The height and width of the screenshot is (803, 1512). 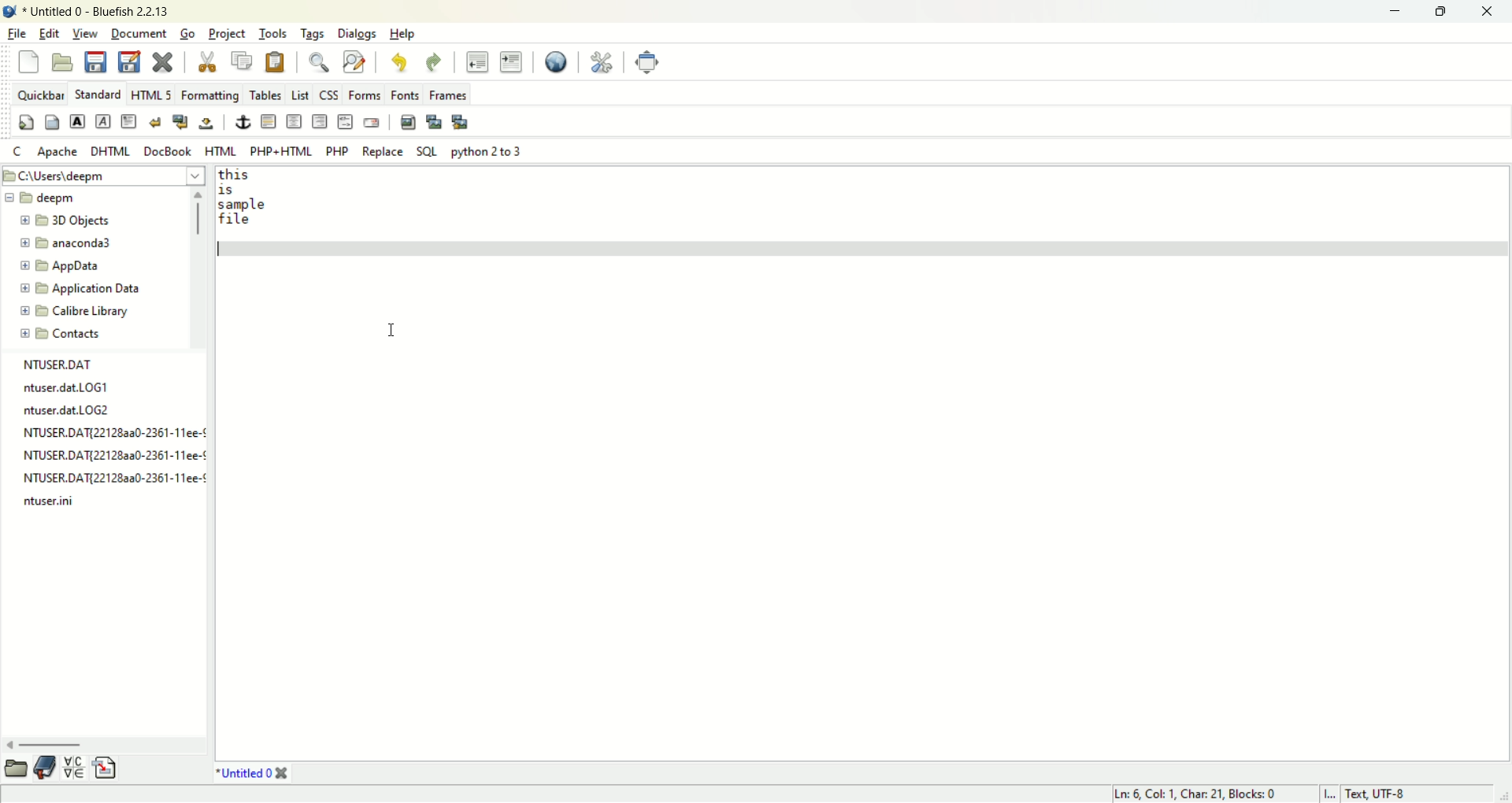 I want to click on anchor, so click(x=242, y=121).